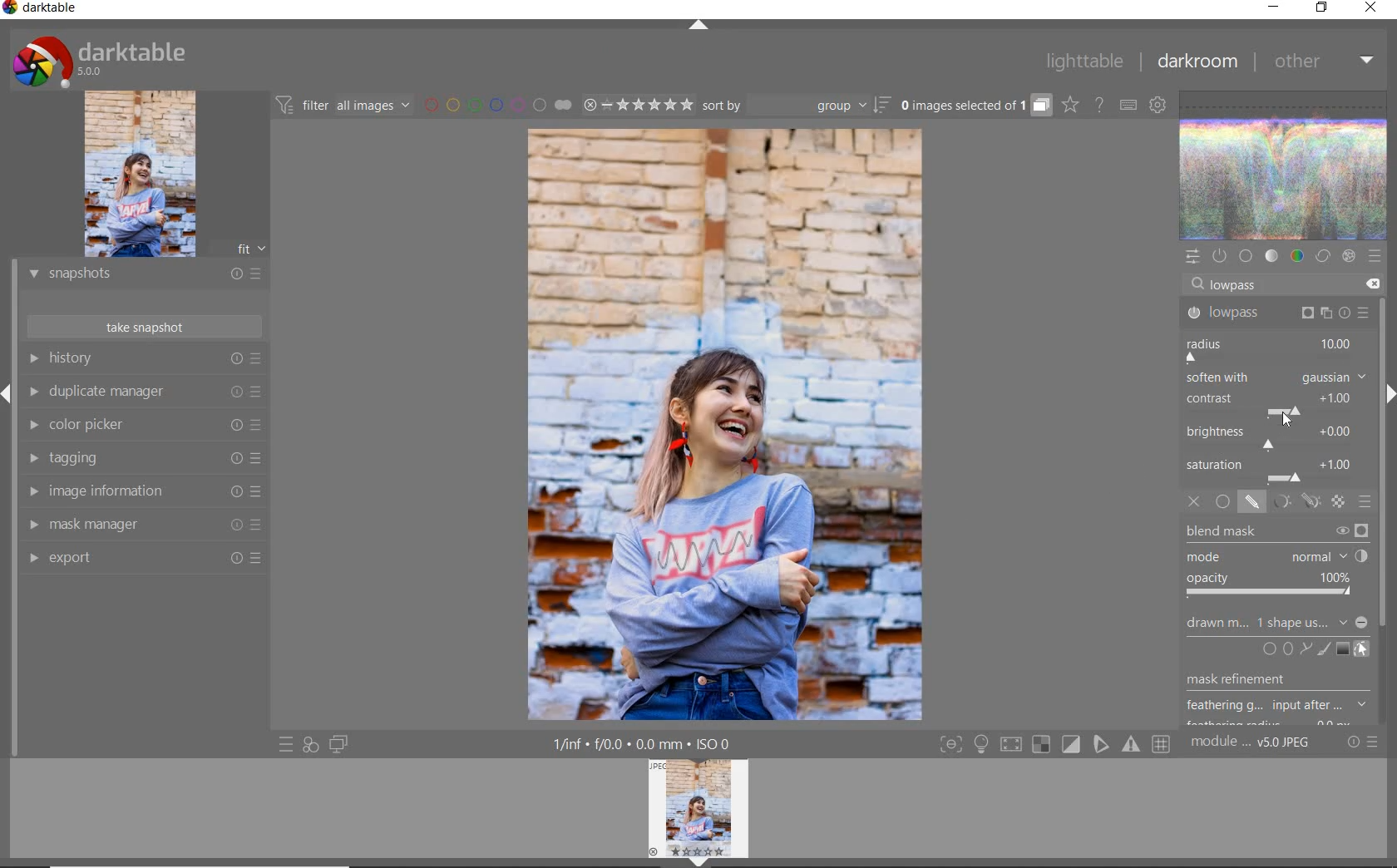  I want to click on enable online help, so click(1100, 104).